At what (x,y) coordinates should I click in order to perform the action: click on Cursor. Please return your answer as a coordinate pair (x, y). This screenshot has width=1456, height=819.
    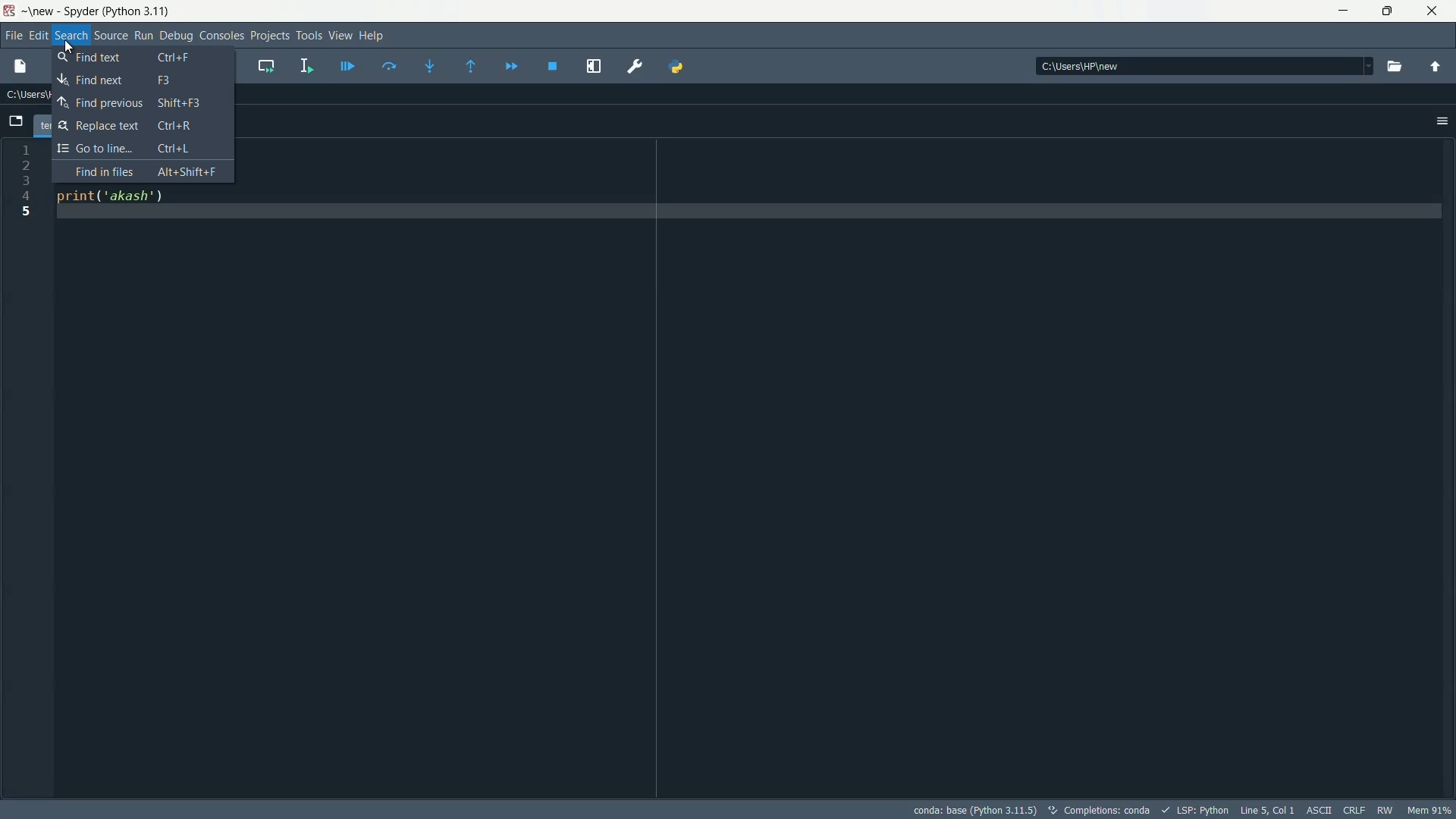
    Looking at the image, I should click on (71, 49).